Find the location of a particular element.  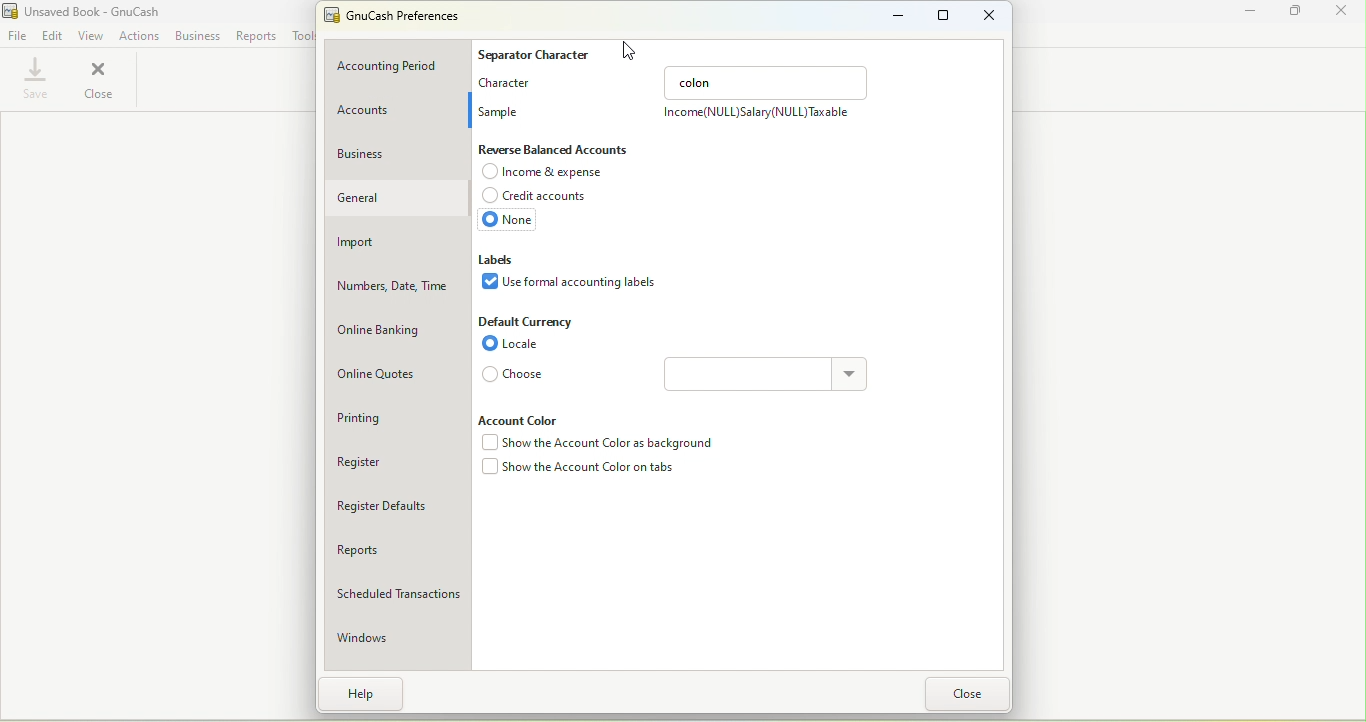

Choose is located at coordinates (512, 376).